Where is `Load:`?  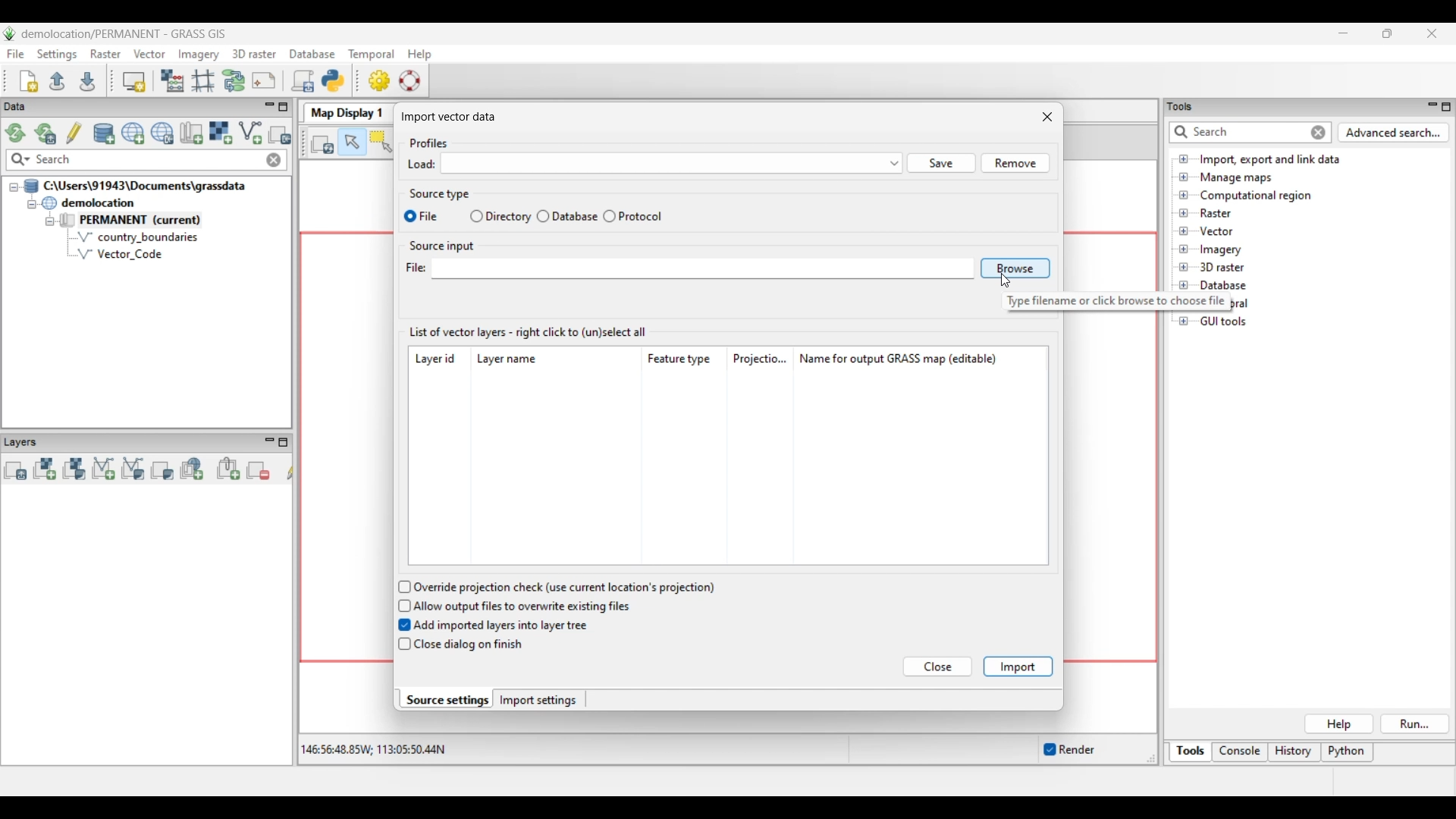
Load: is located at coordinates (420, 165).